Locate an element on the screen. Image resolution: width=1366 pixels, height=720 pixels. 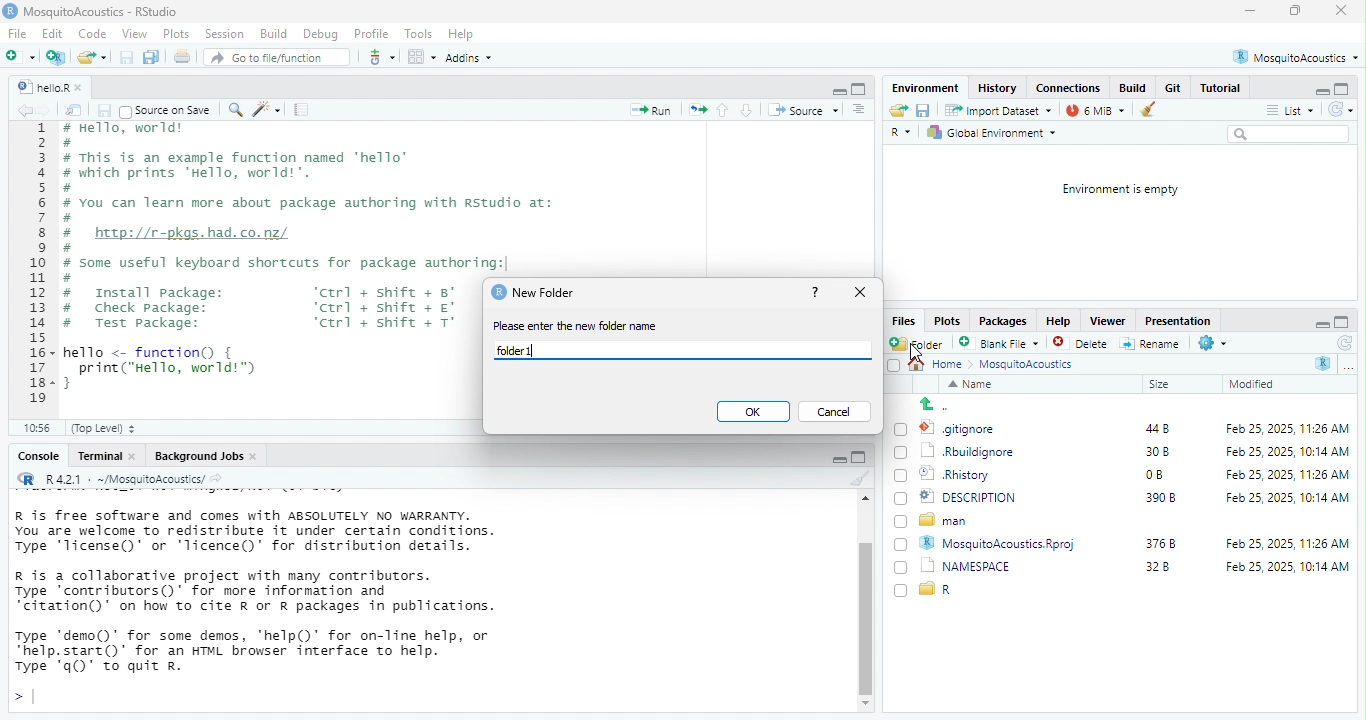
(Top Level)  is located at coordinates (111, 429).